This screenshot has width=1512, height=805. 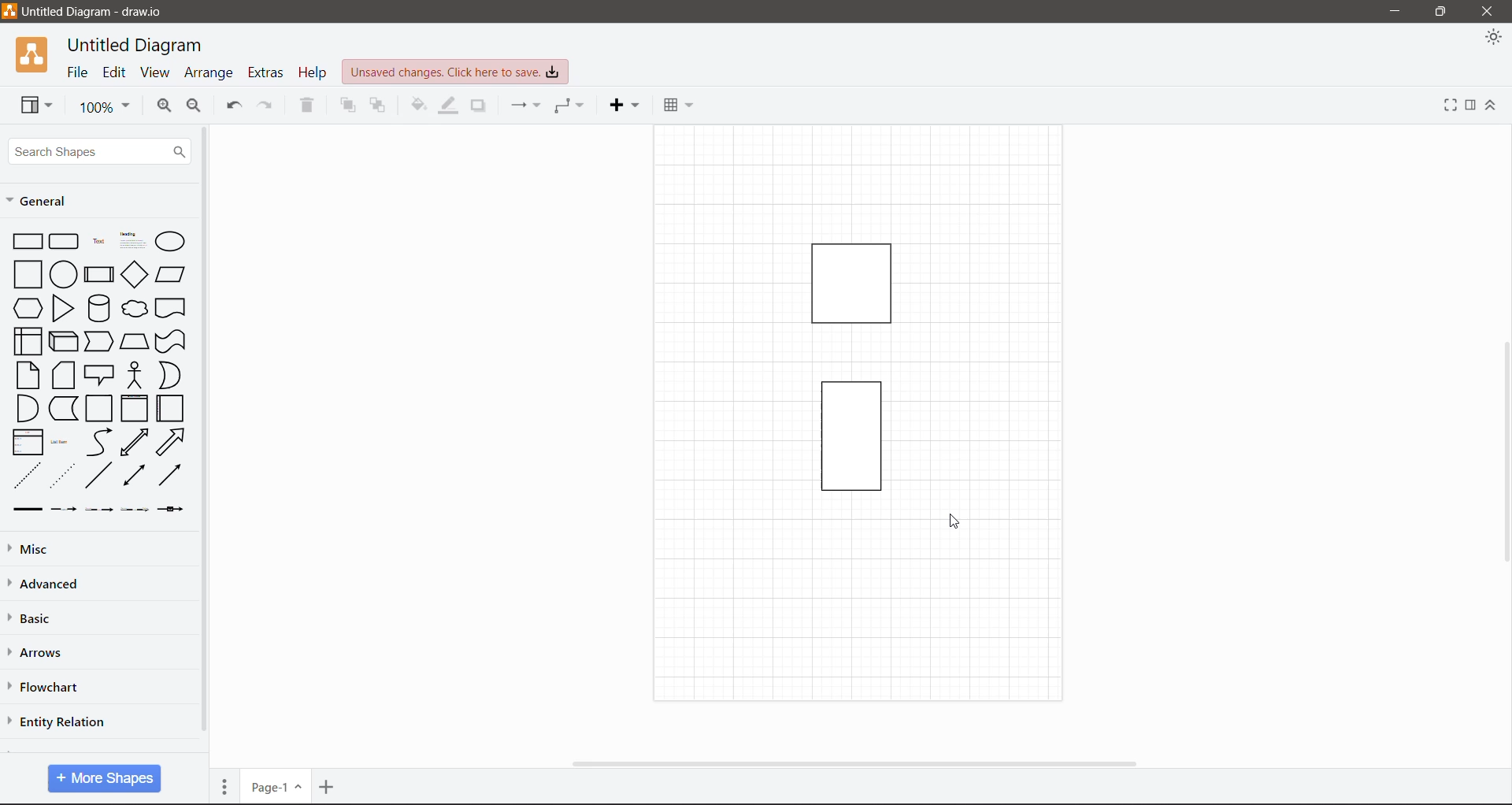 What do you see at coordinates (1492, 39) in the screenshot?
I see `Appearance` at bounding box center [1492, 39].